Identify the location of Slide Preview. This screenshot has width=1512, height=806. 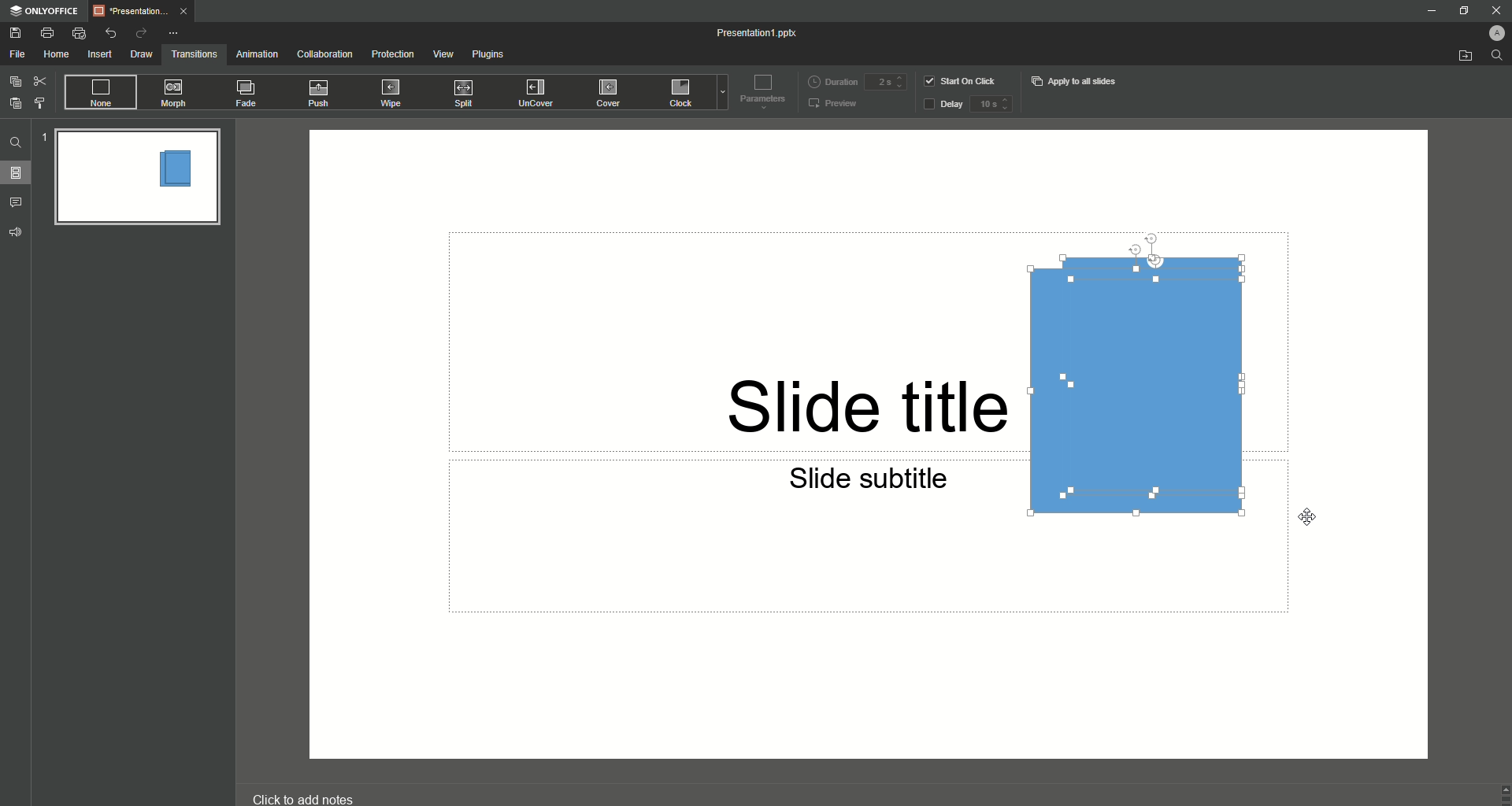
(137, 179).